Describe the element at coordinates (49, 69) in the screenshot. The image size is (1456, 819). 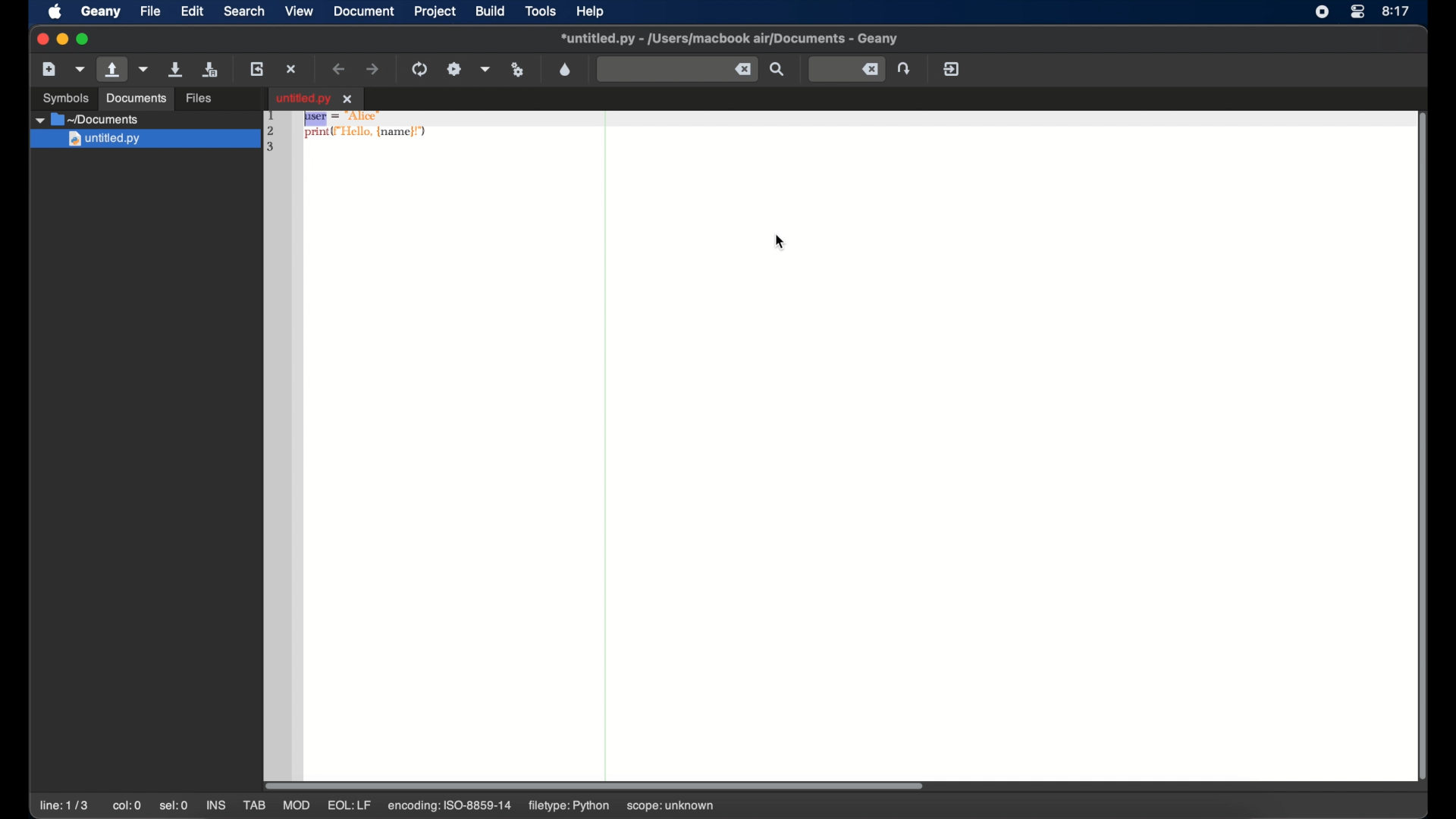
I see `create a new file` at that location.